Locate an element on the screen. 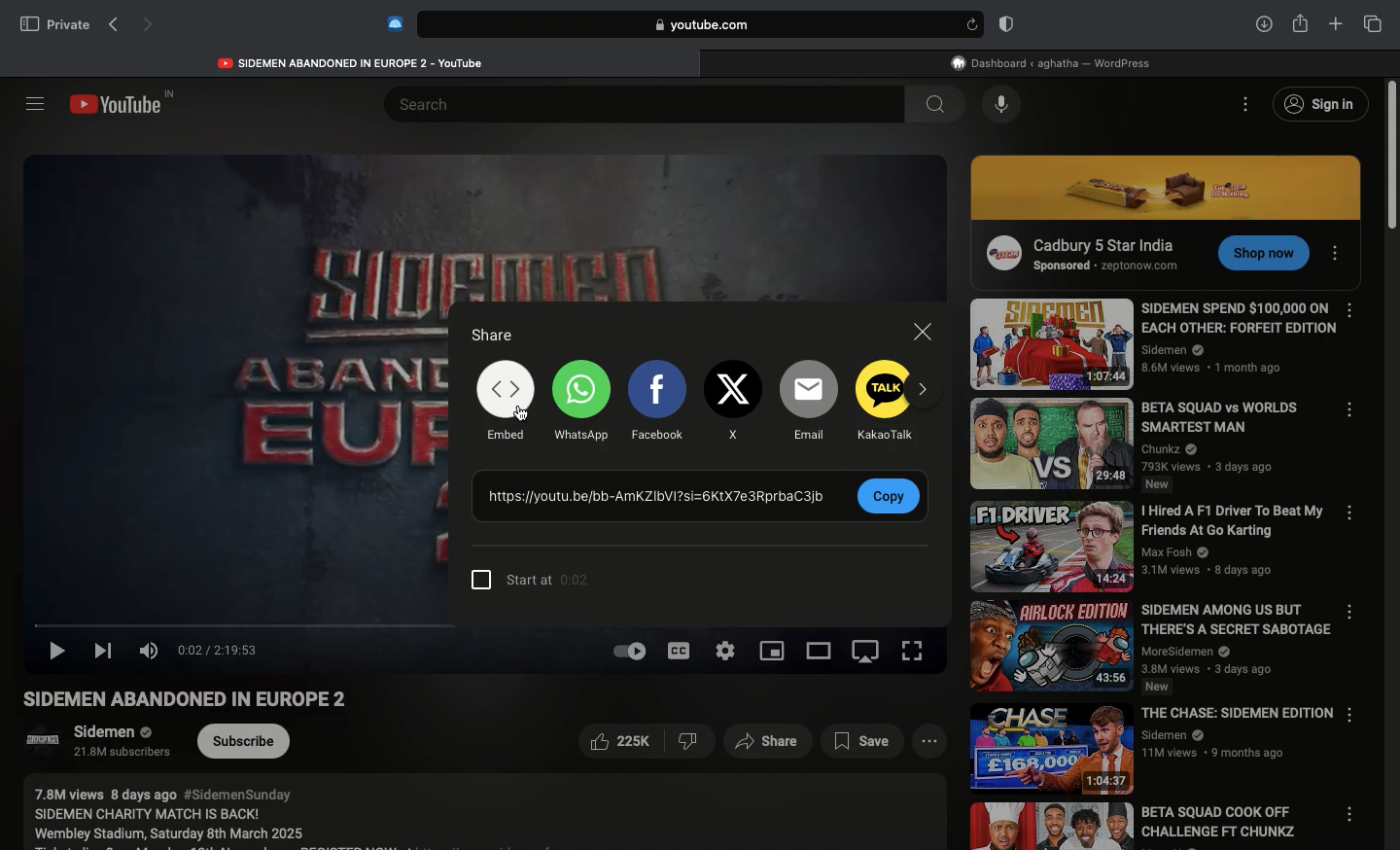 This screenshot has height=850, width=1400. cursor is located at coordinates (522, 416).